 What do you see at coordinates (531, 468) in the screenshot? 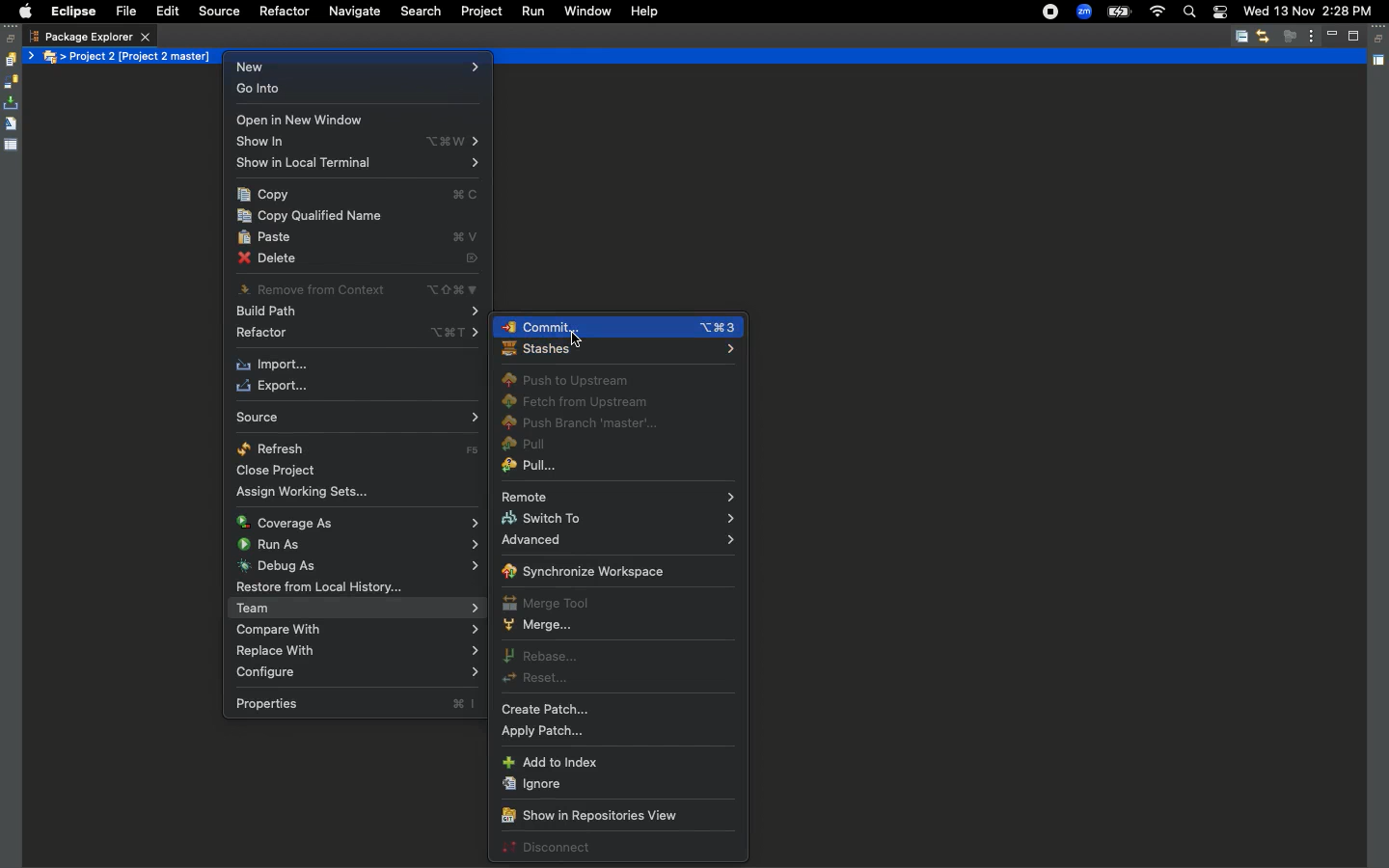
I see `Pull` at bounding box center [531, 468].